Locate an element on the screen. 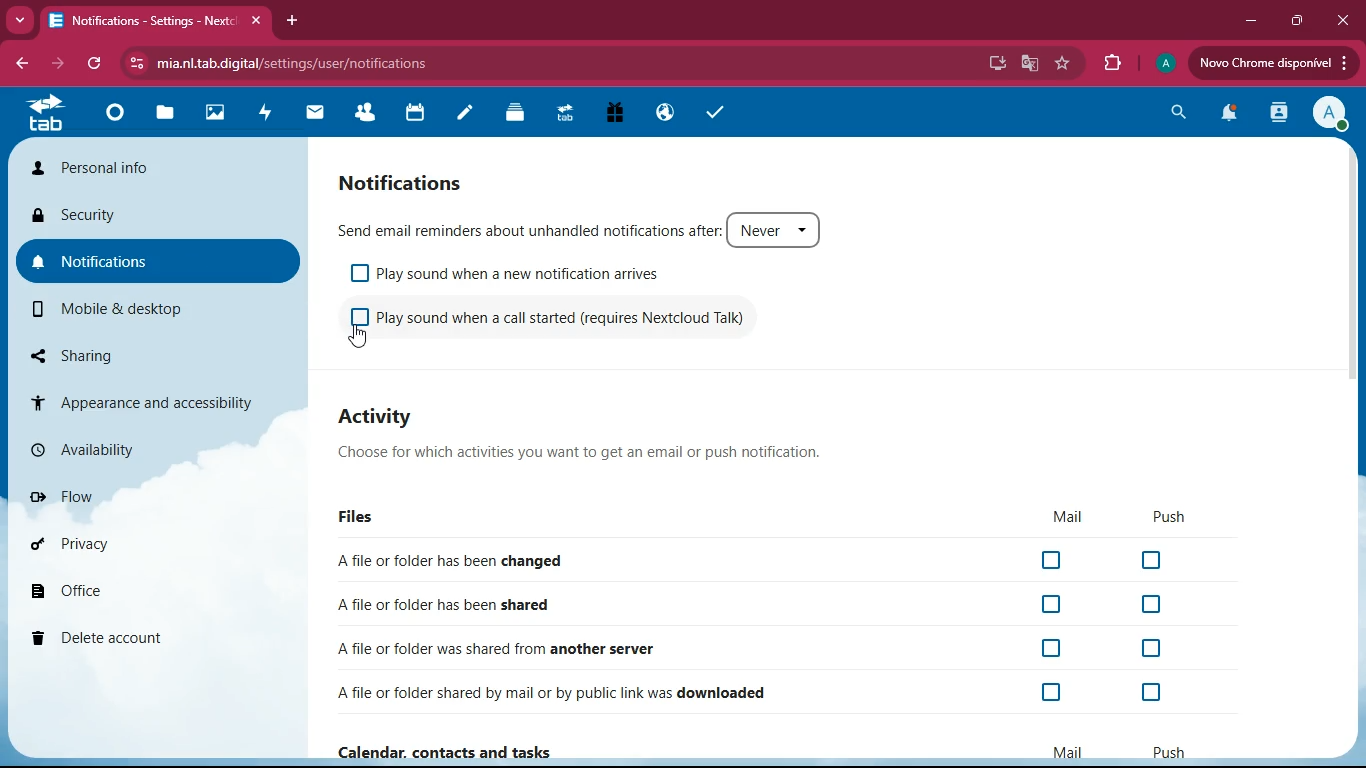 This screenshot has height=768, width=1366. gift  is located at coordinates (622, 114).